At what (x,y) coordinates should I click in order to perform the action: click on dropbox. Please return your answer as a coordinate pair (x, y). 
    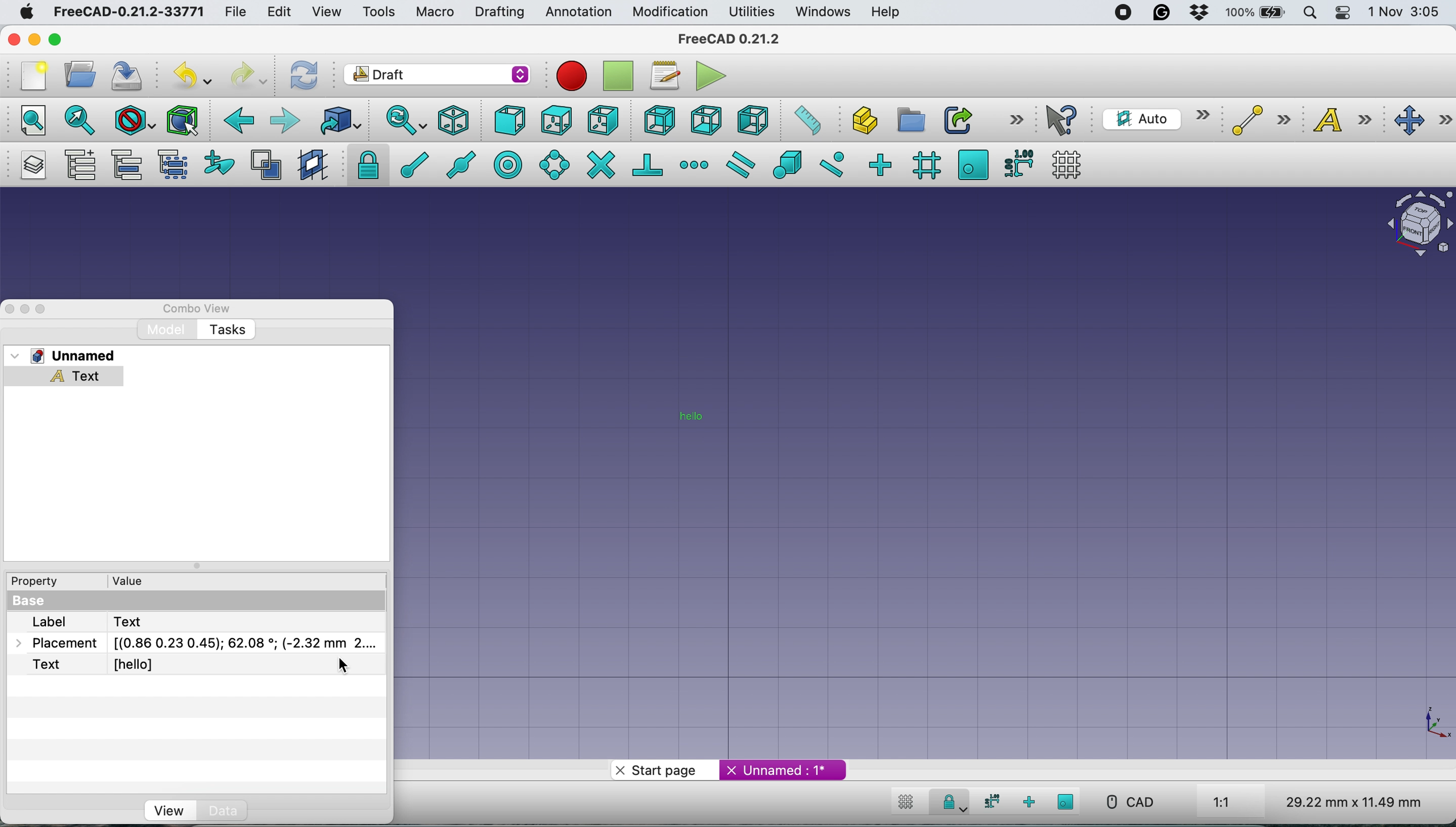
    Looking at the image, I should click on (1200, 14).